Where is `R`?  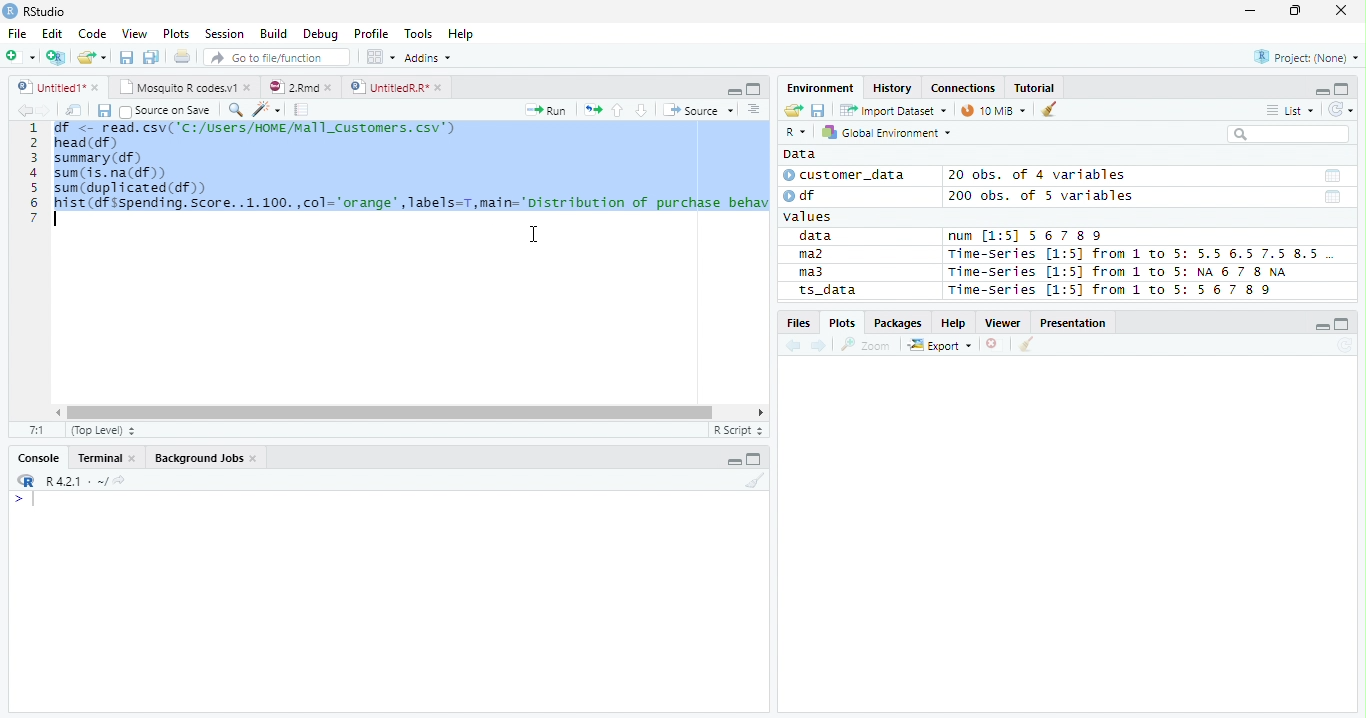 R is located at coordinates (795, 133).